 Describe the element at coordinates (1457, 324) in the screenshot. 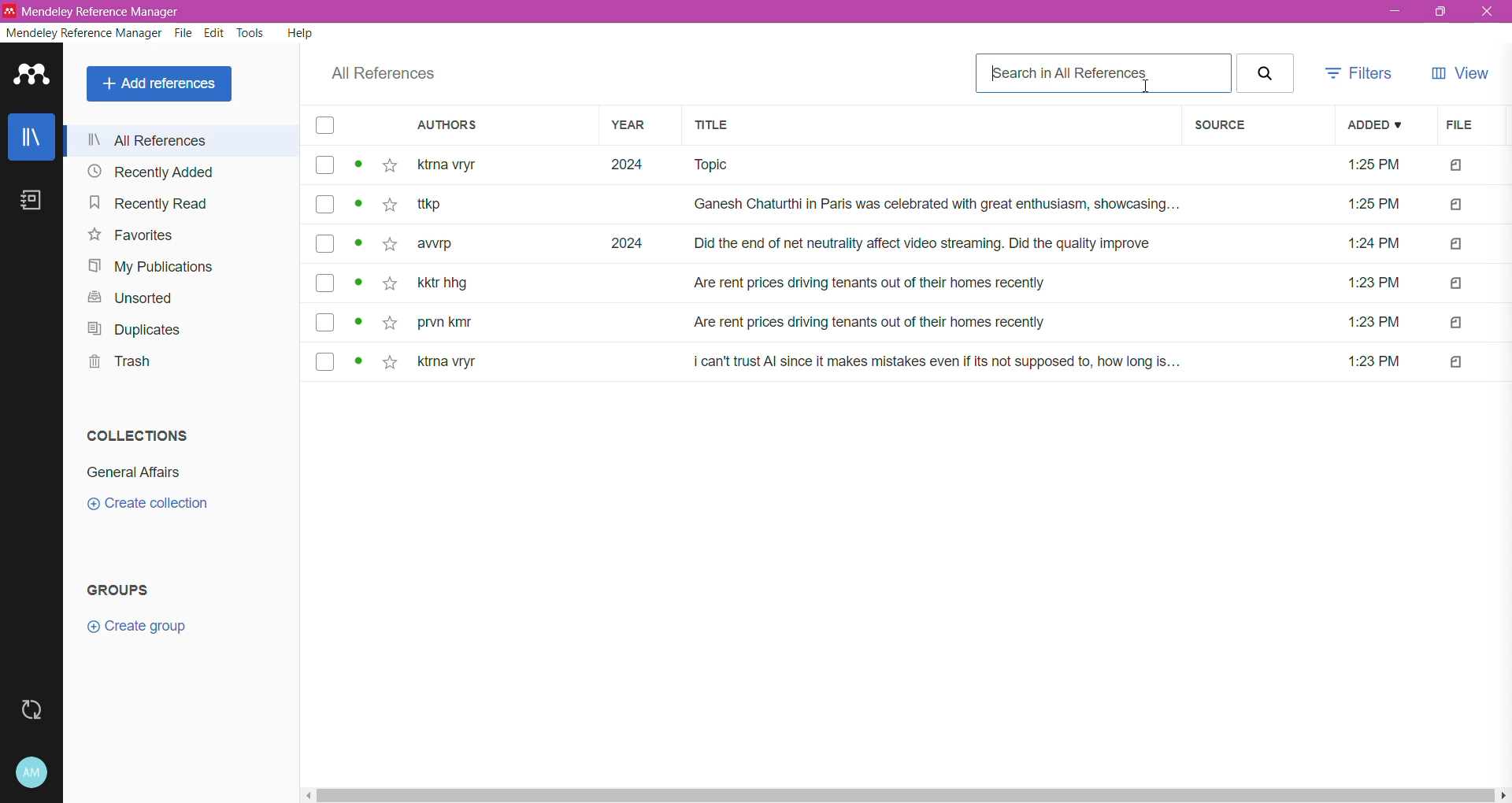

I see `file type` at that location.